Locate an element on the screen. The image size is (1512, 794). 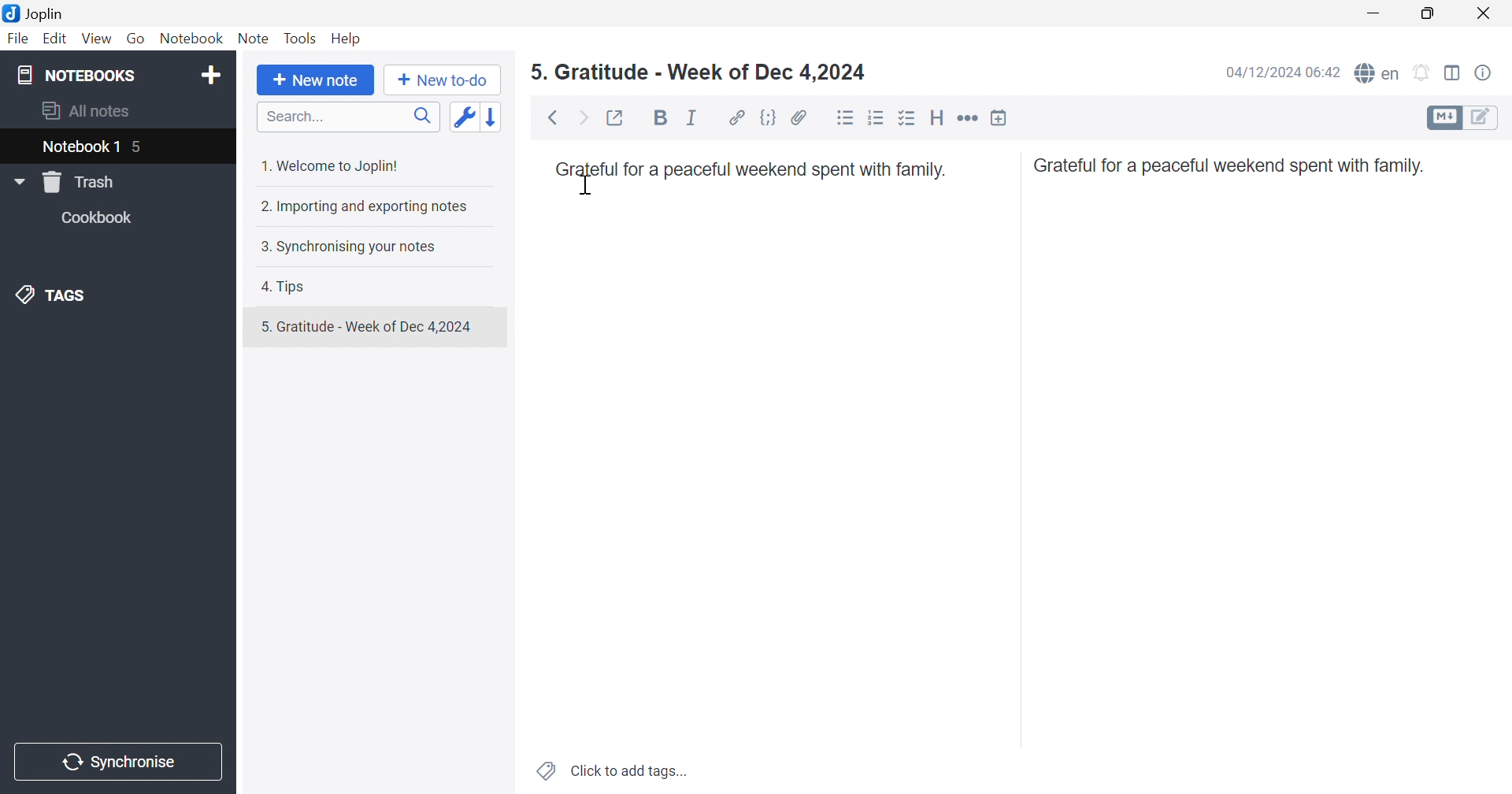
Hyperlink is located at coordinates (736, 117).